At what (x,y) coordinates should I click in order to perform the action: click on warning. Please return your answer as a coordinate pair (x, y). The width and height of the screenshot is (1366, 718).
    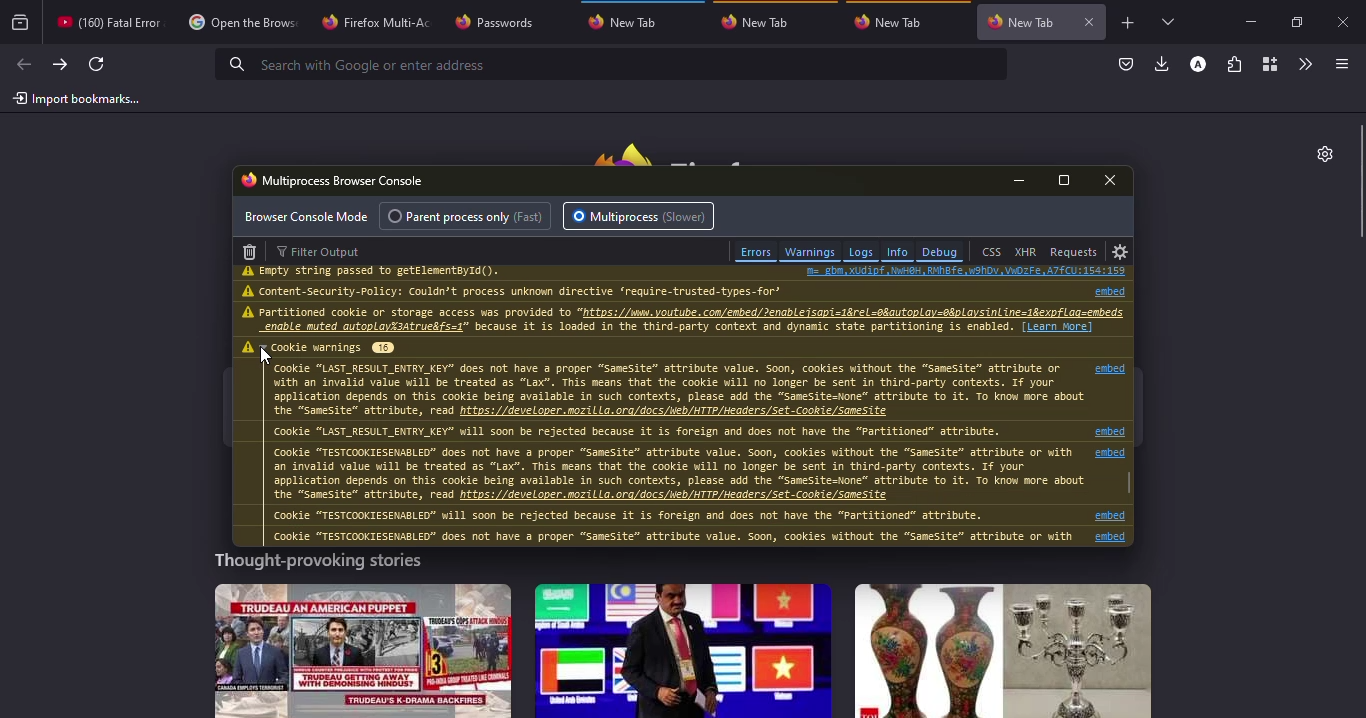
    Looking at the image, I should click on (248, 312).